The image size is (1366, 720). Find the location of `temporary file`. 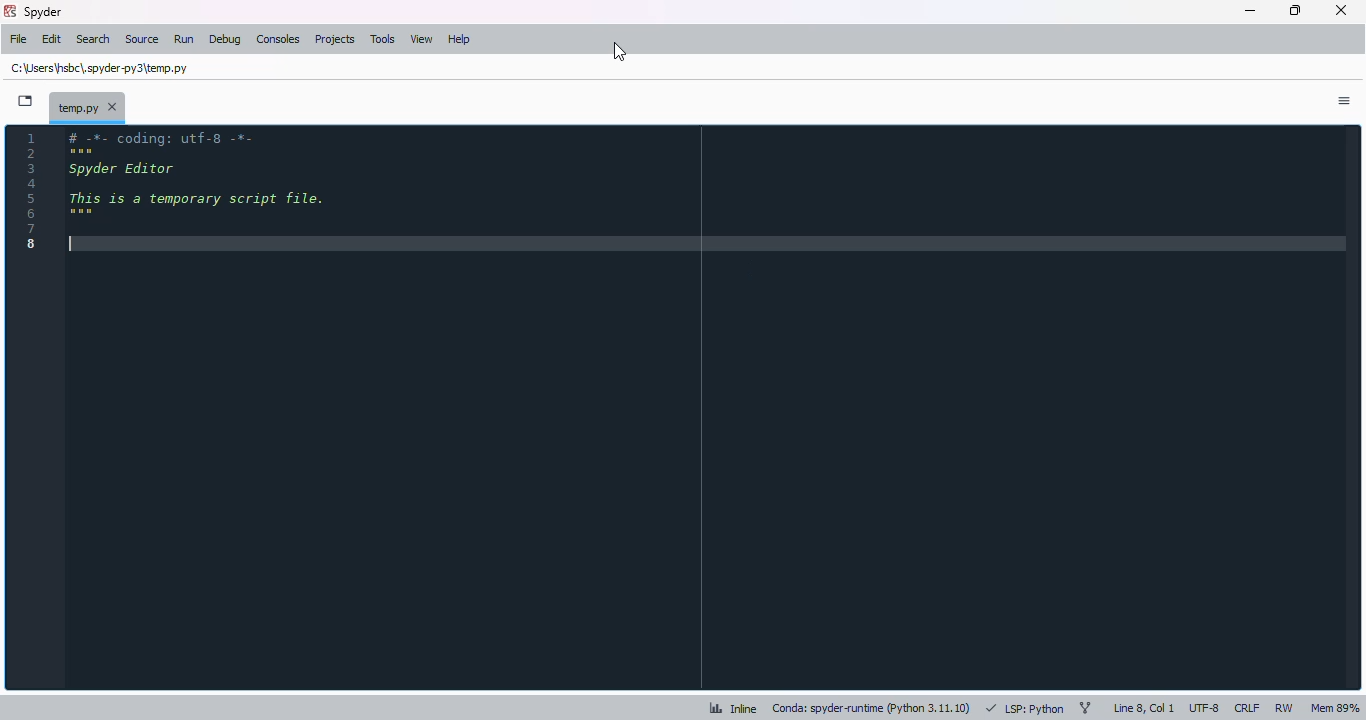

temporary file is located at coordinates (87, 106).